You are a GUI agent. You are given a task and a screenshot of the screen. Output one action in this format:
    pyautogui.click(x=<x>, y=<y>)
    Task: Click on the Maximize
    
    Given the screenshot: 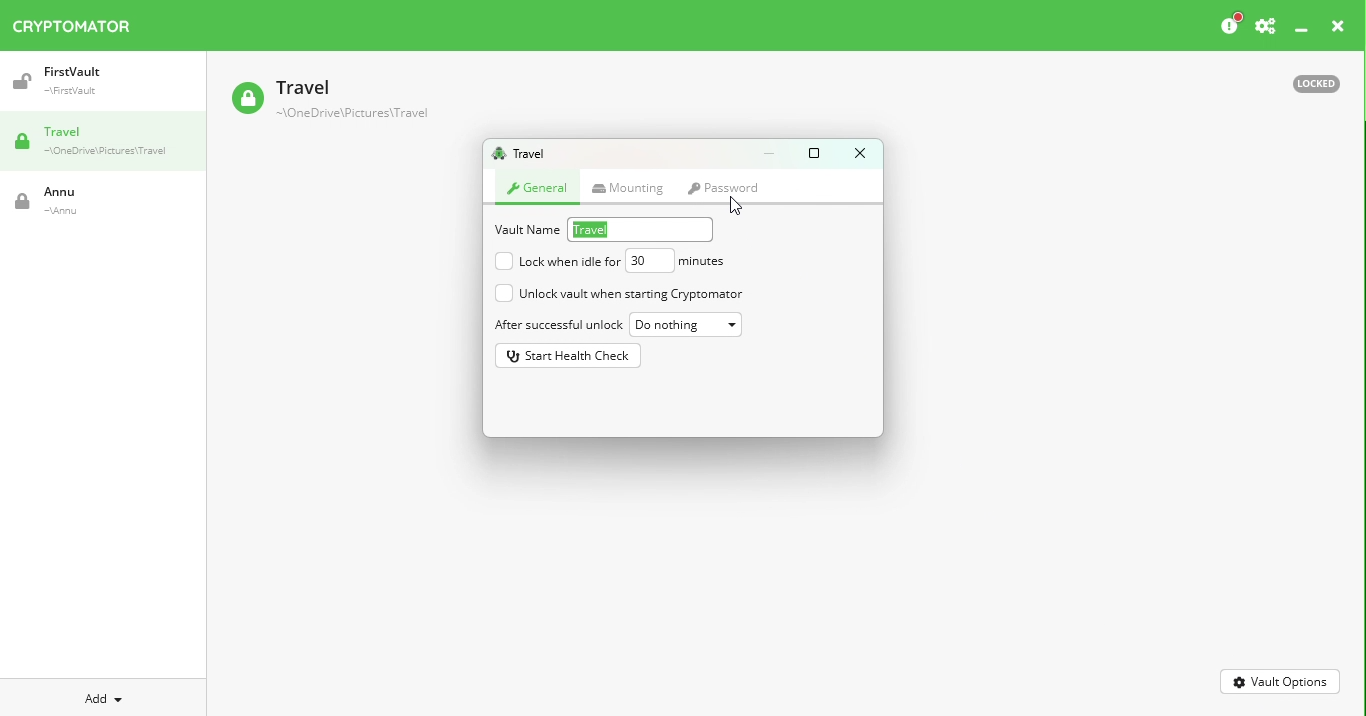 What is the action you would take?
    pyautogui.click(x=818, y=152)
    